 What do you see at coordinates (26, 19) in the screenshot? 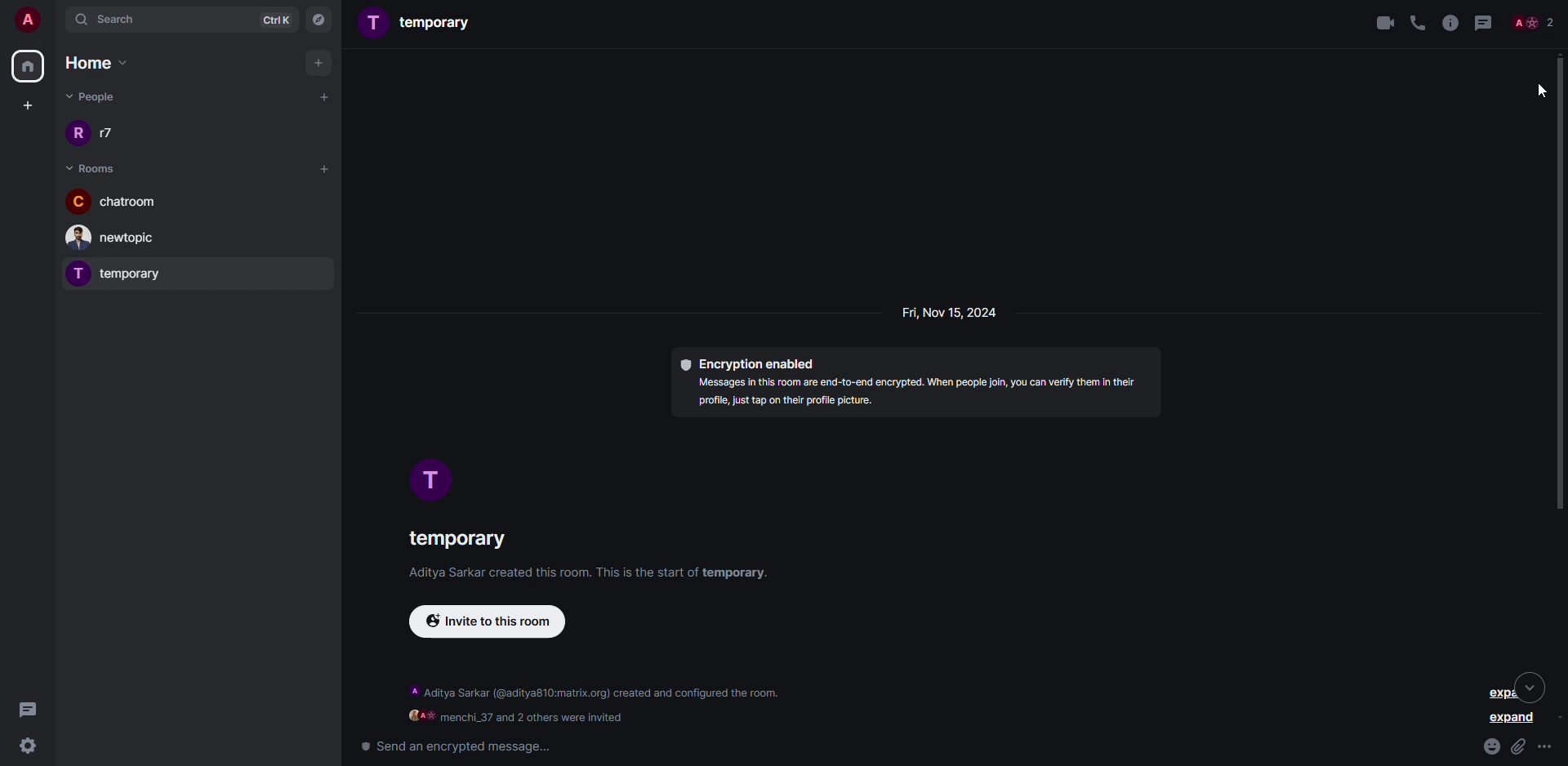
I see `account` at bounding box center [26, 19].